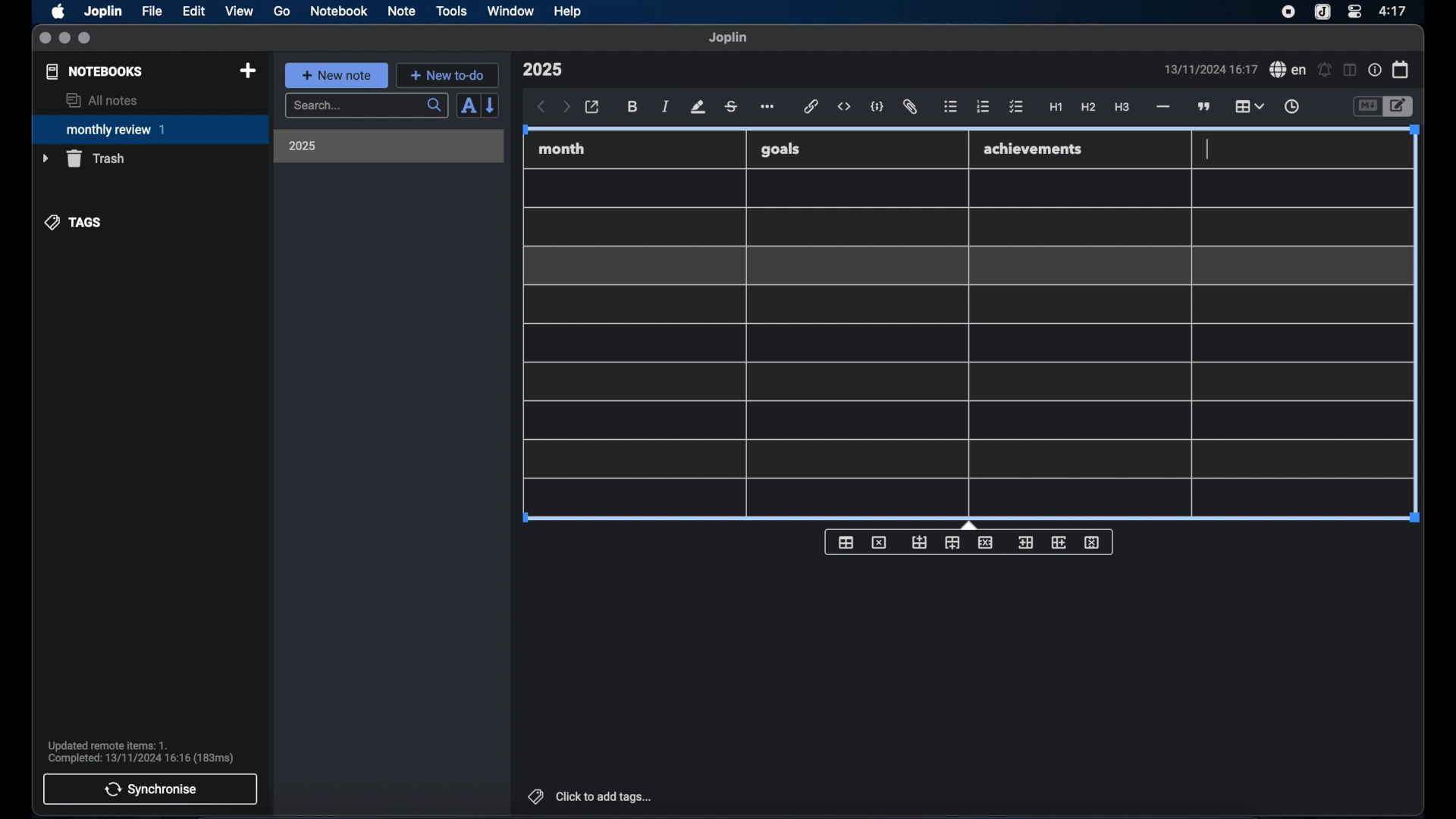 Image resolution: width=1456 pixels, height=819 pixels. Describe the element at coordinates (1205, 107) in the screenshot. I see `block quotes` at that location.